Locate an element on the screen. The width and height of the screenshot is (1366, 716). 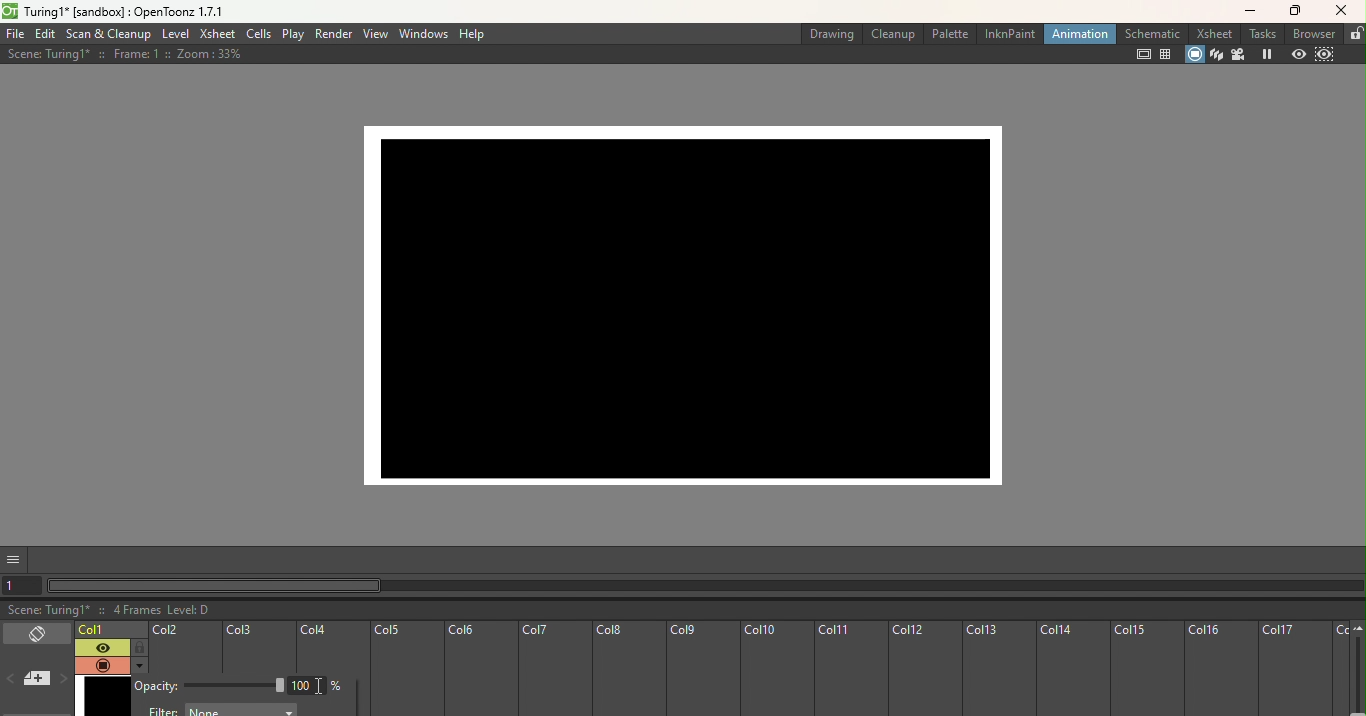
Toggle Xsheet/timeline is located at coordinates (36, 634).